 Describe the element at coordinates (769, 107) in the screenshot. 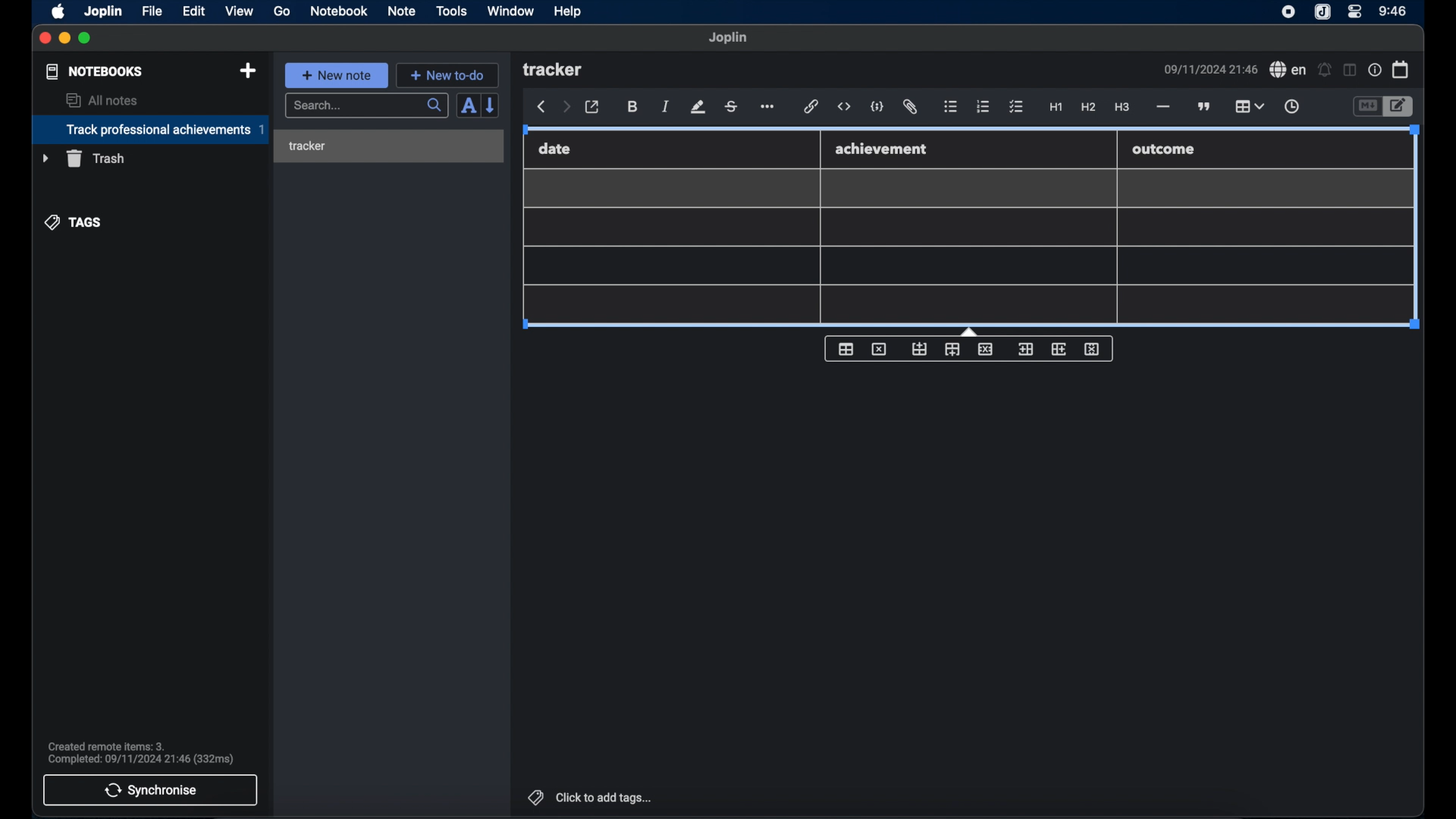

I see `more options` at that location.